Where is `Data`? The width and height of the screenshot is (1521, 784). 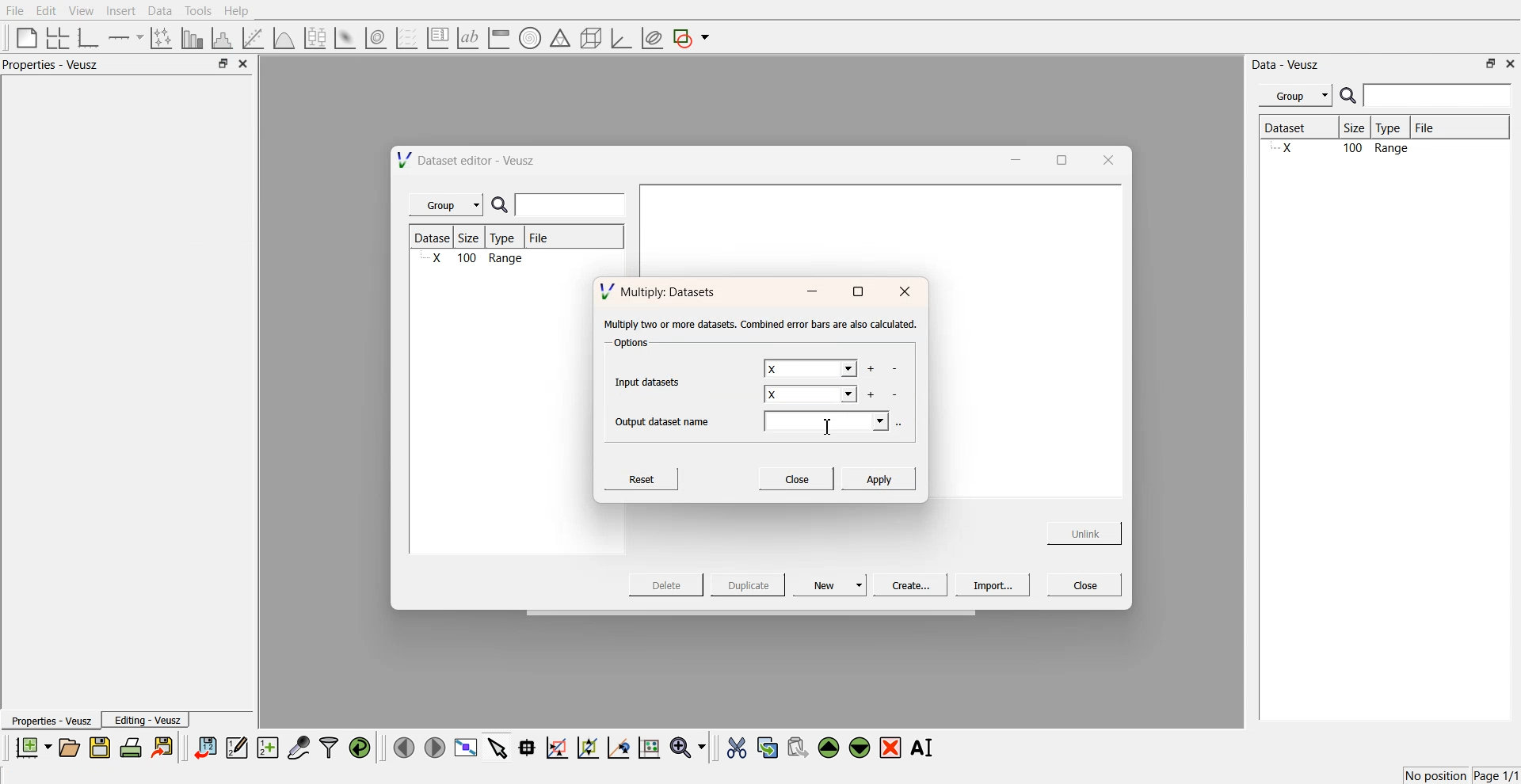
Data is located at coordinates (159, 11).